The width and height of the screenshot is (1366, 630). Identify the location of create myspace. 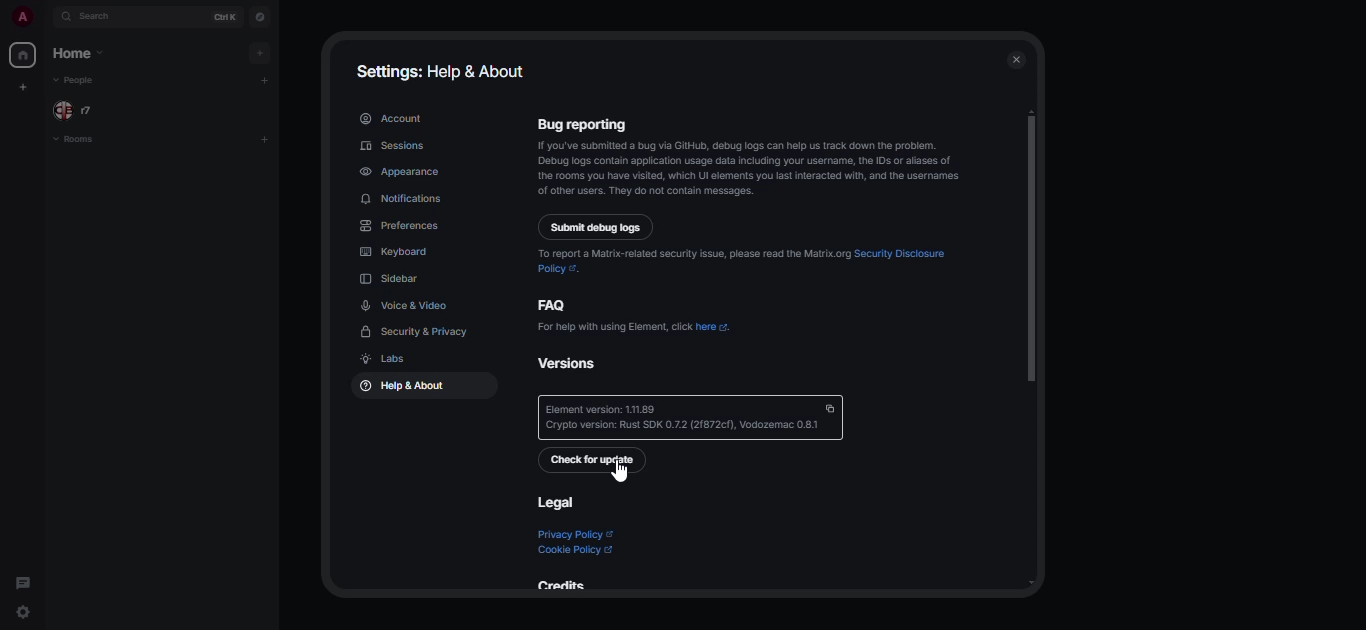
(21, 86).